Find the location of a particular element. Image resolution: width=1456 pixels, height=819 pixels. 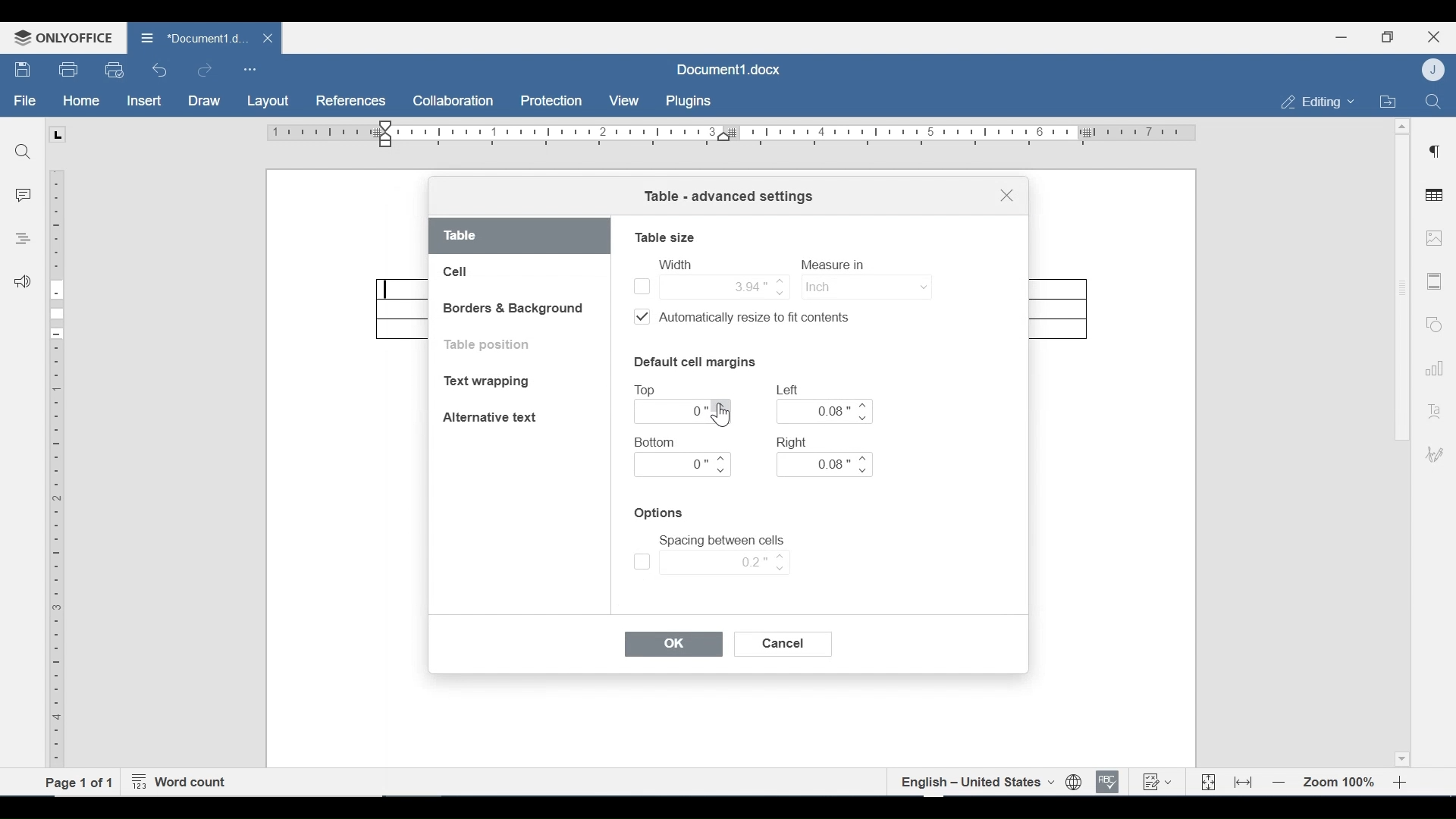

Customize Quick Access Toolbar is located at coordinates (249, 69).